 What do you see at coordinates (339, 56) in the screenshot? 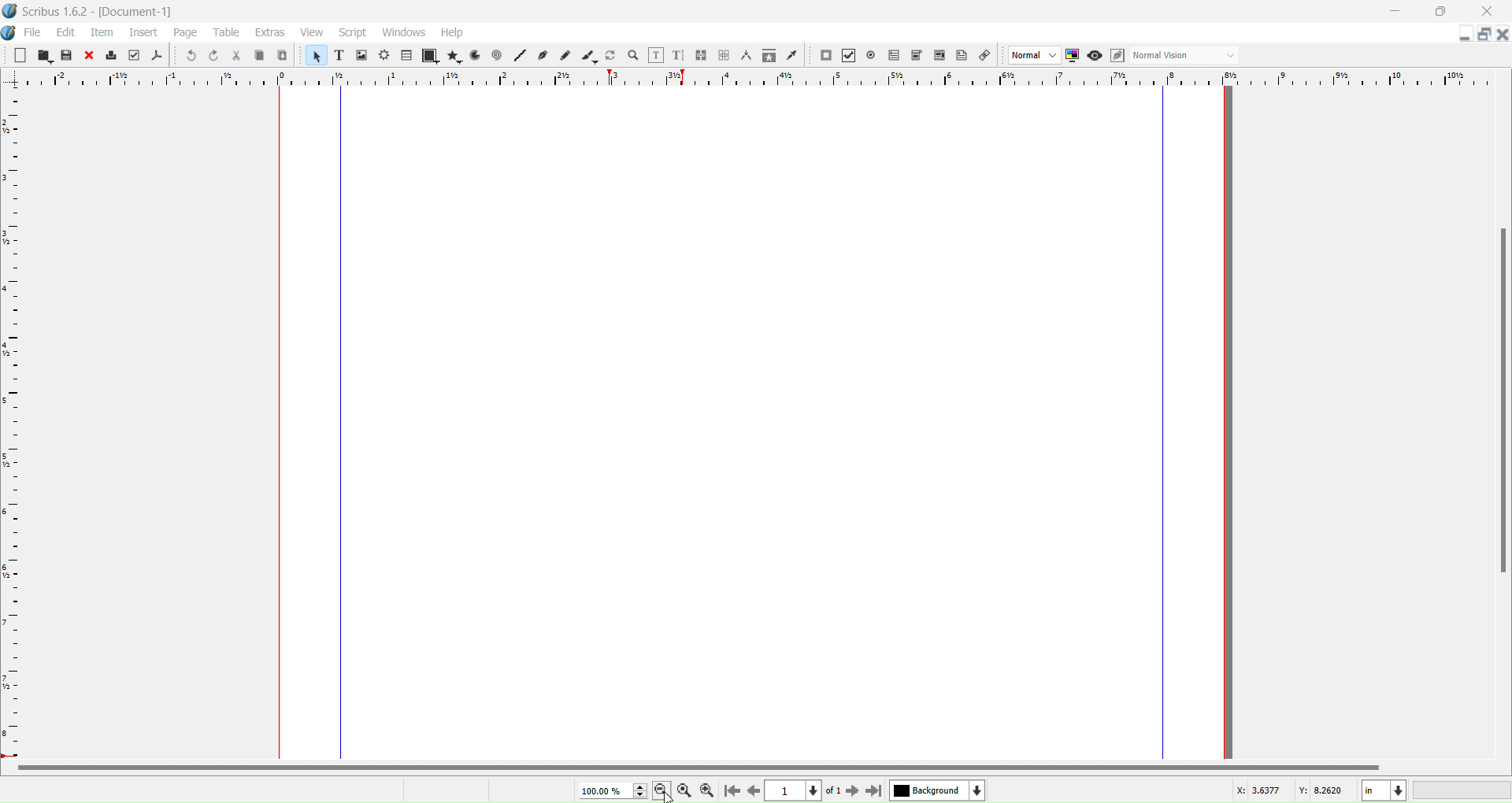
I see `Text Frame` at bounding box center [339, 56].